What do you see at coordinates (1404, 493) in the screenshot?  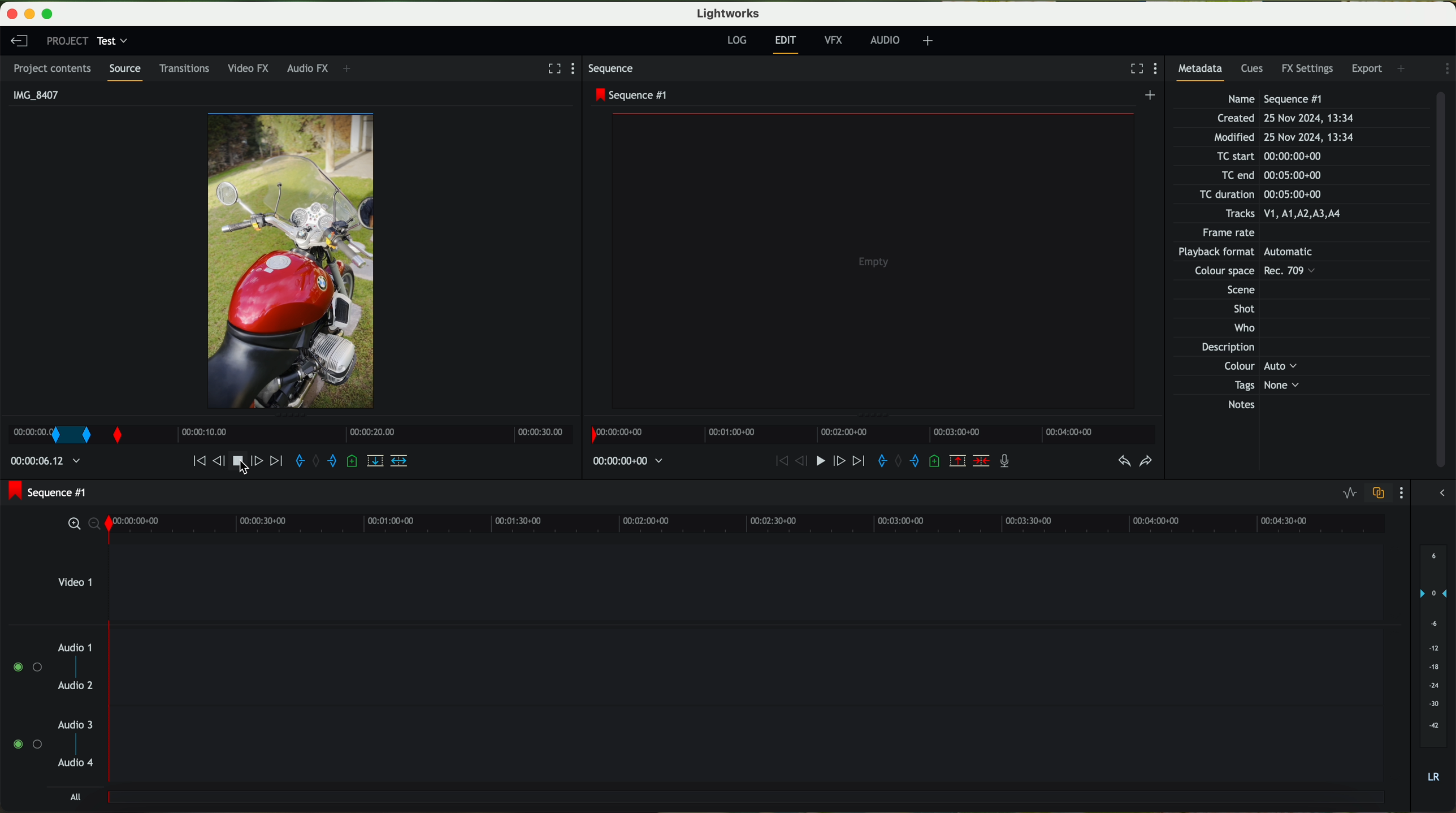 I see `show settings menu` at bounding box center [1404, 493].